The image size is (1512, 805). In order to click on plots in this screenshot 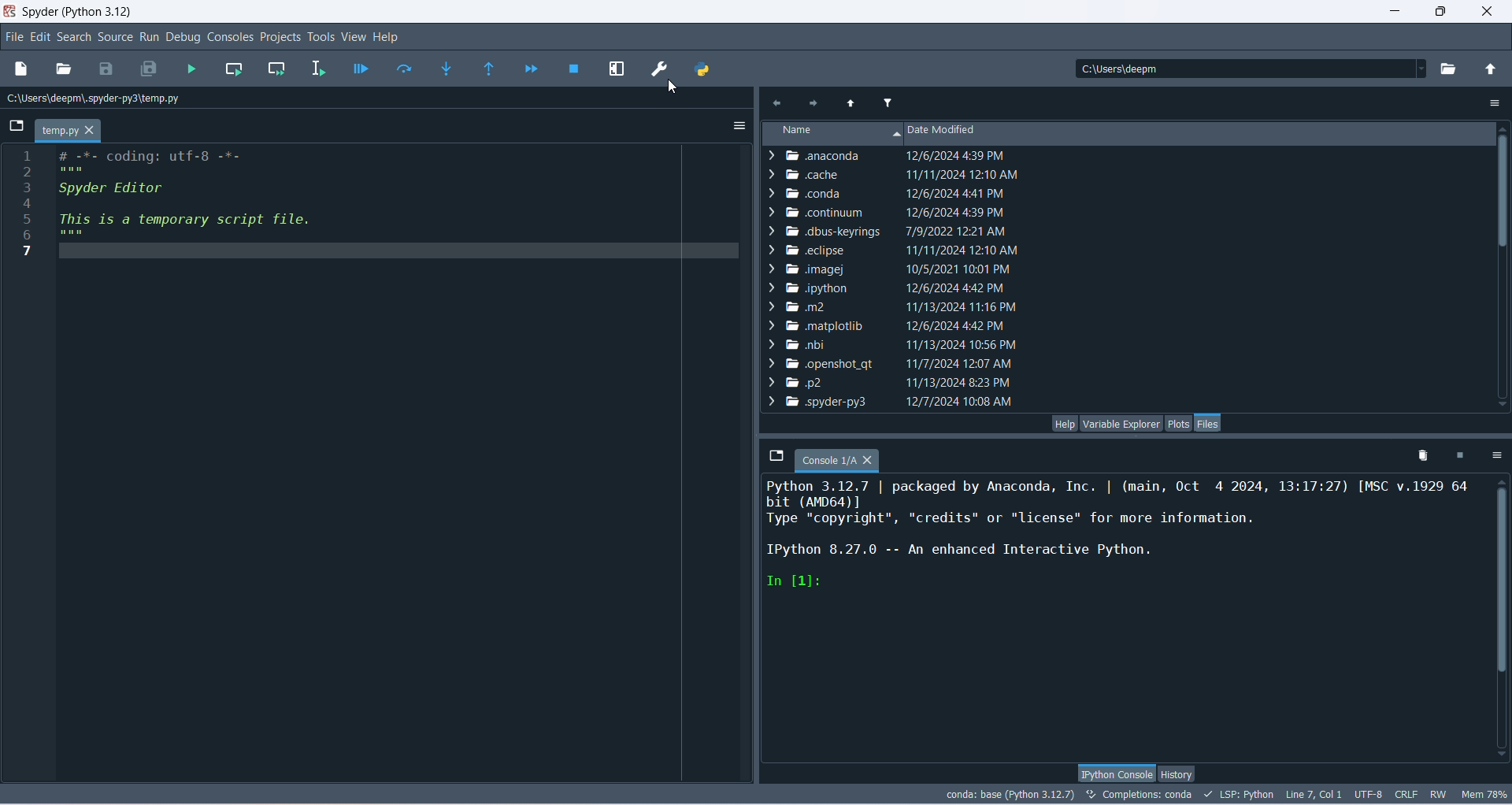, I will do `click(1177, 424)`.